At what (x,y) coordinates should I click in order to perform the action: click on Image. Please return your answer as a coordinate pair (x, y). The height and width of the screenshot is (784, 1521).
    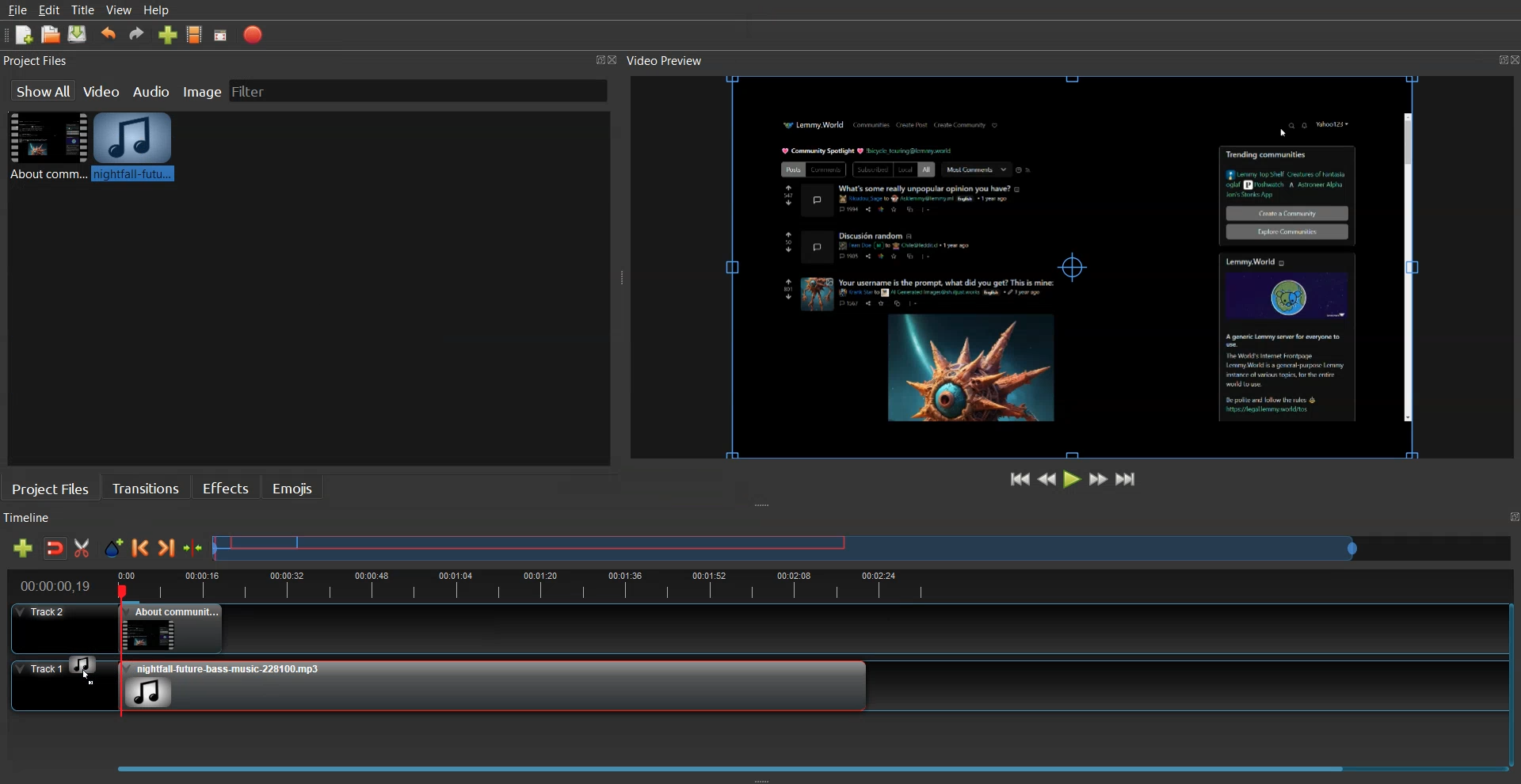
    Looking at the image, I should click on (202, 89).